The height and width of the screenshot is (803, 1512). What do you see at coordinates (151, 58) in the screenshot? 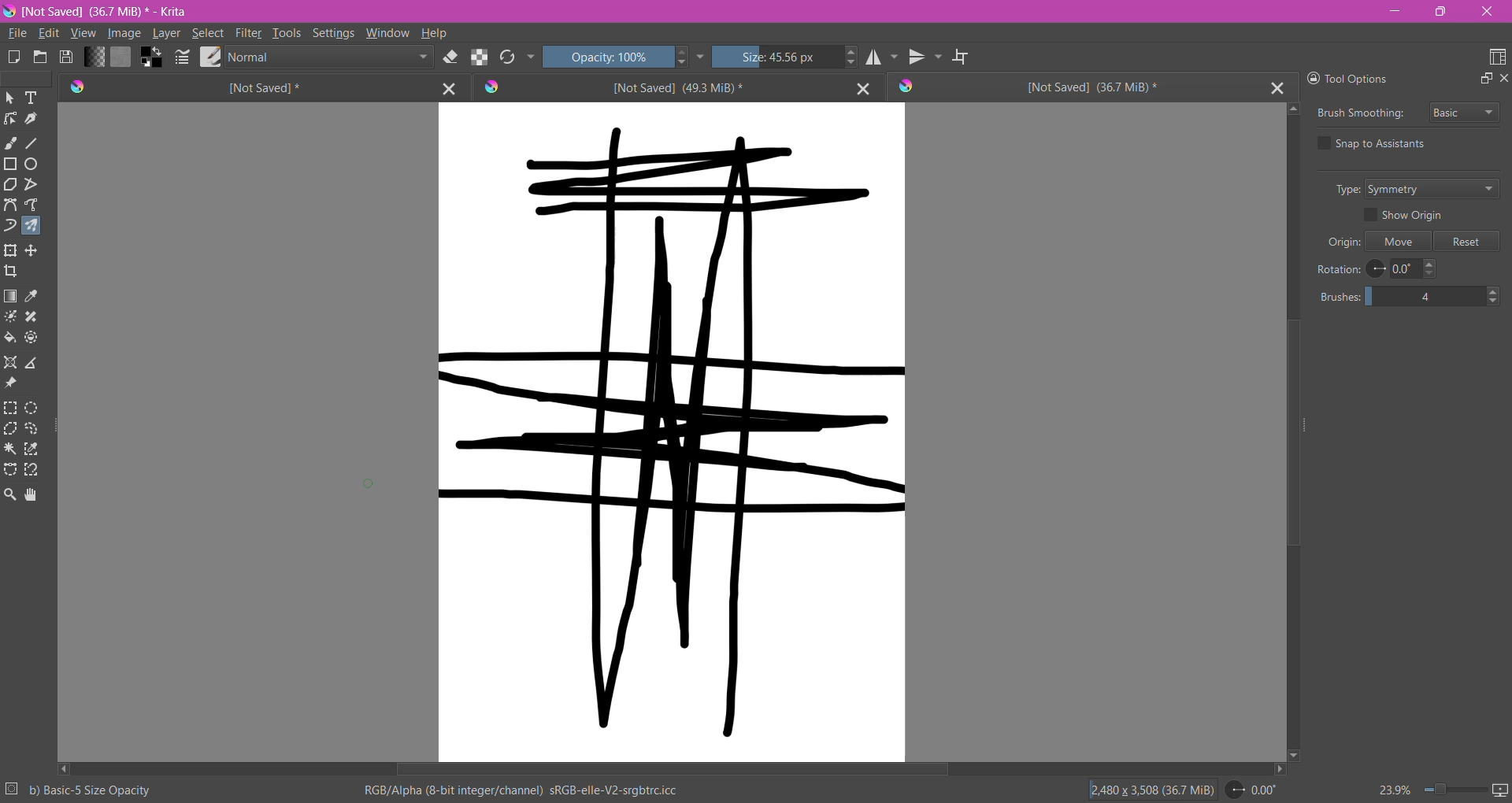
I see `Background Color Selector` at bounding box center [151, 58].